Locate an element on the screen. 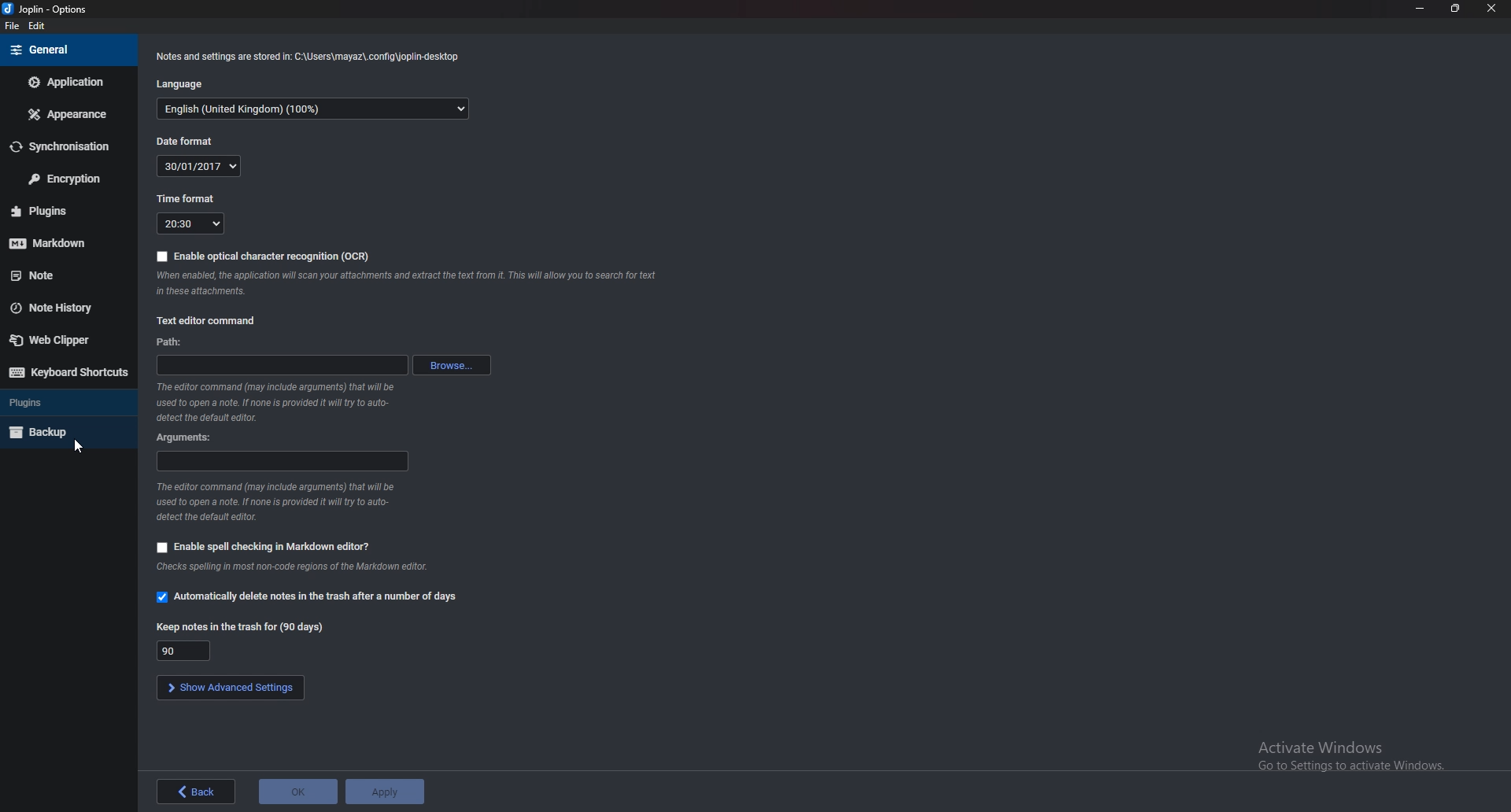 The image size is (1511, 812). Arguments is located at coordinates (190, 436).